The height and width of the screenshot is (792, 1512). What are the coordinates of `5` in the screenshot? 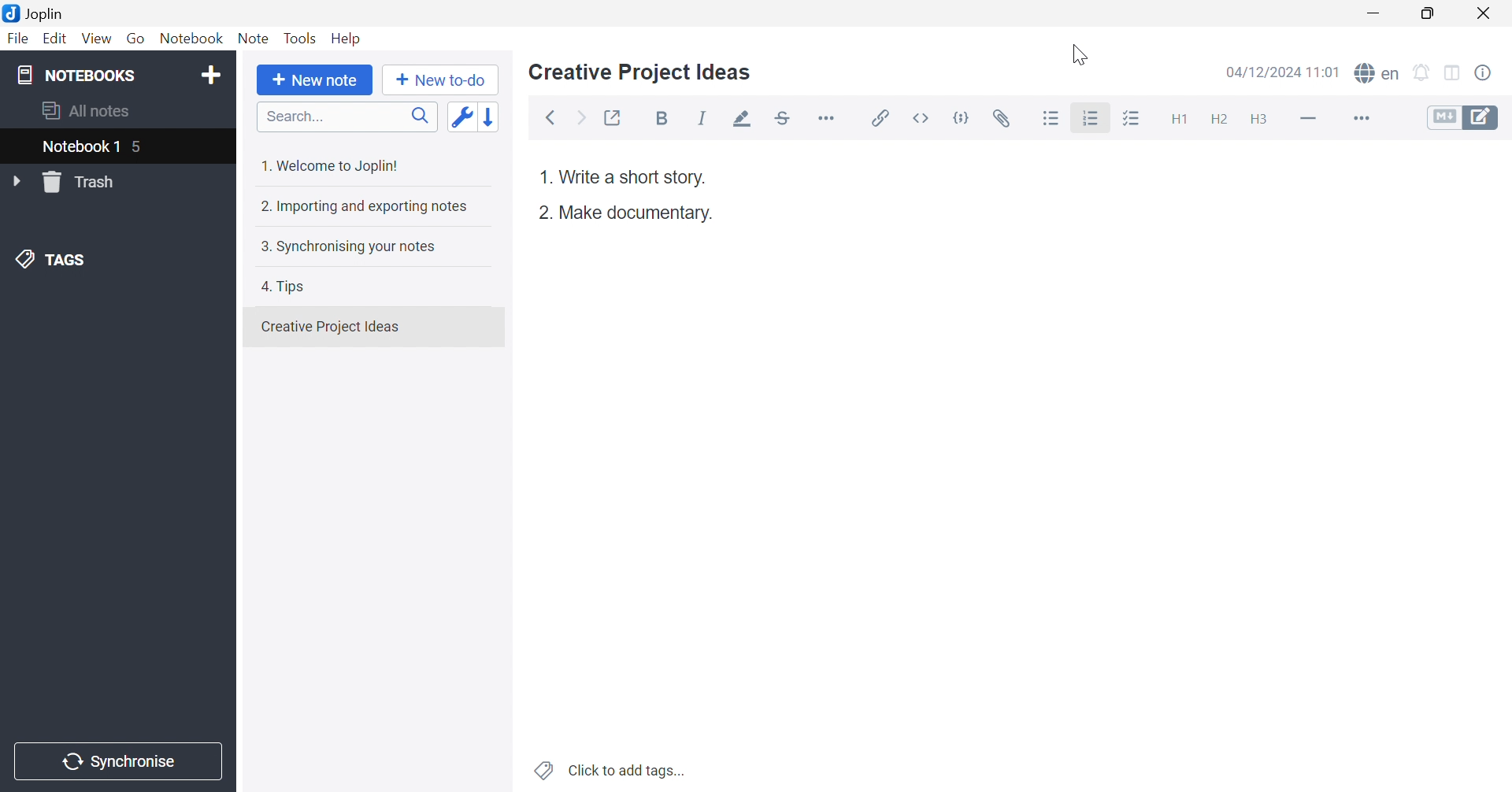 It's located at (145, 147).